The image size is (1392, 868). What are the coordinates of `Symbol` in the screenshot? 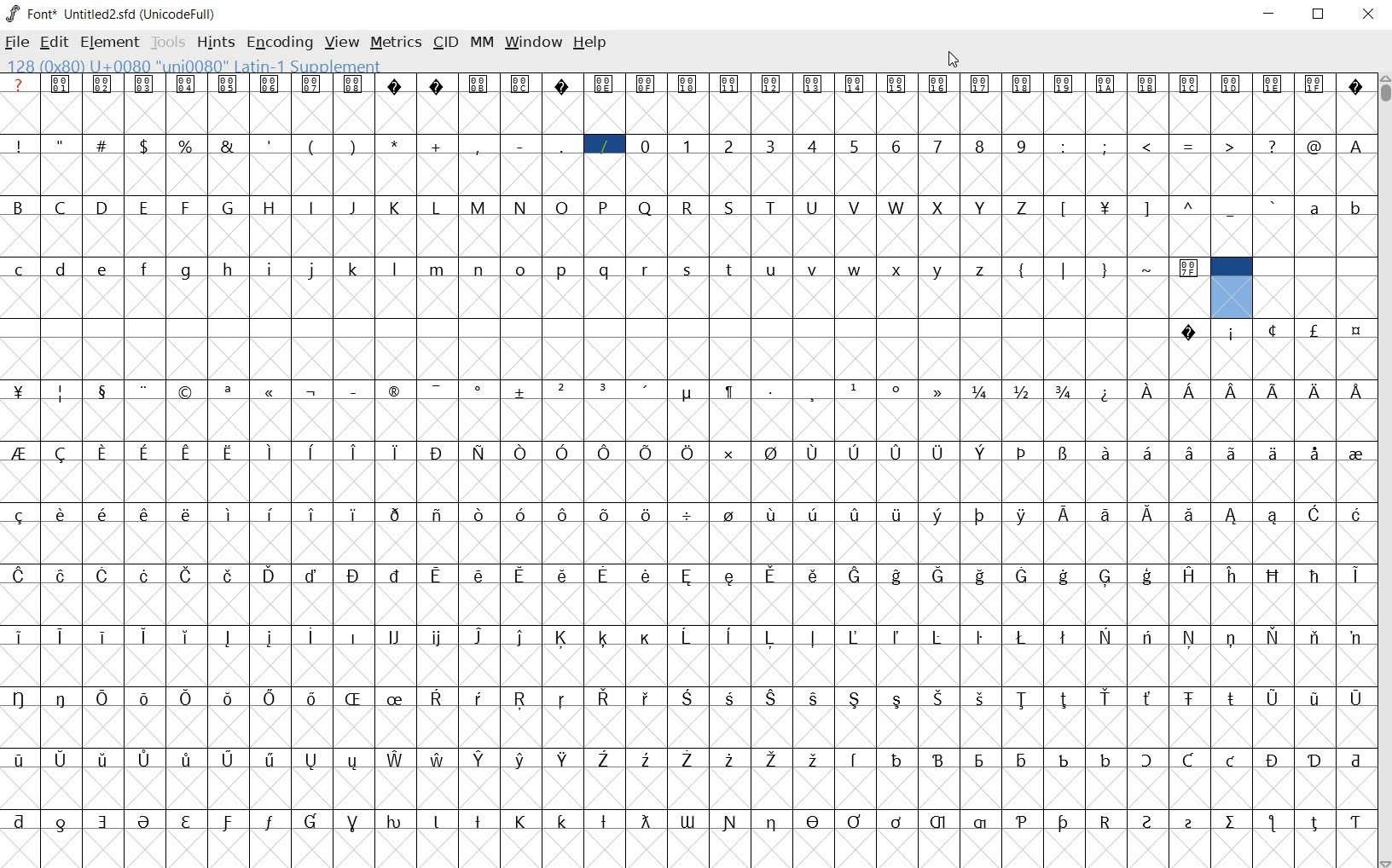 It's located at (1149, 820).